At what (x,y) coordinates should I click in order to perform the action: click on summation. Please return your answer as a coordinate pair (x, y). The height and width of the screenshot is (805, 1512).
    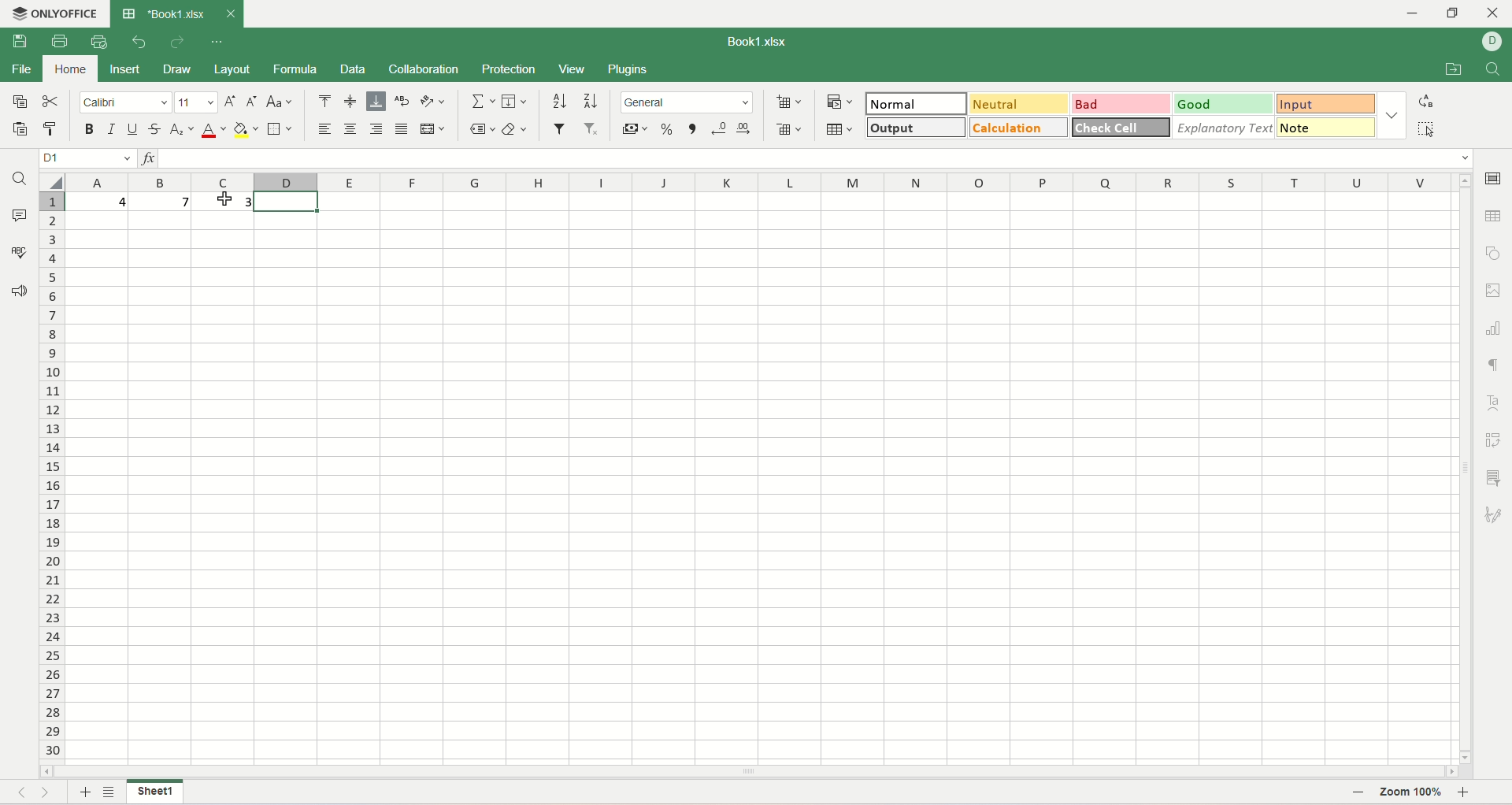
    Looking at the image, I should click on (481, 101).